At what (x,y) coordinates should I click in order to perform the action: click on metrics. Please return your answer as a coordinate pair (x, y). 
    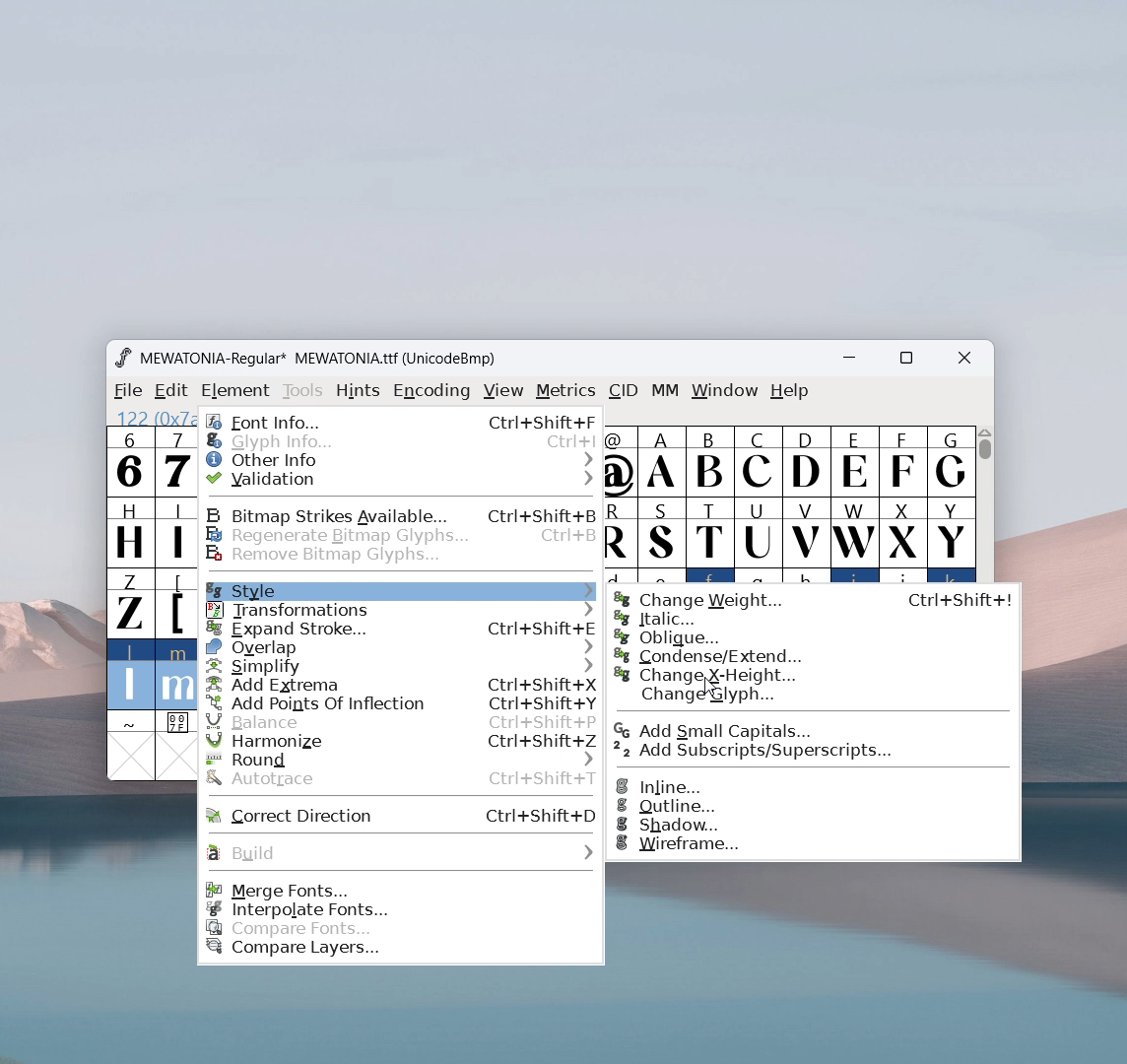
    Looking at the image, I should click on (565, 391).